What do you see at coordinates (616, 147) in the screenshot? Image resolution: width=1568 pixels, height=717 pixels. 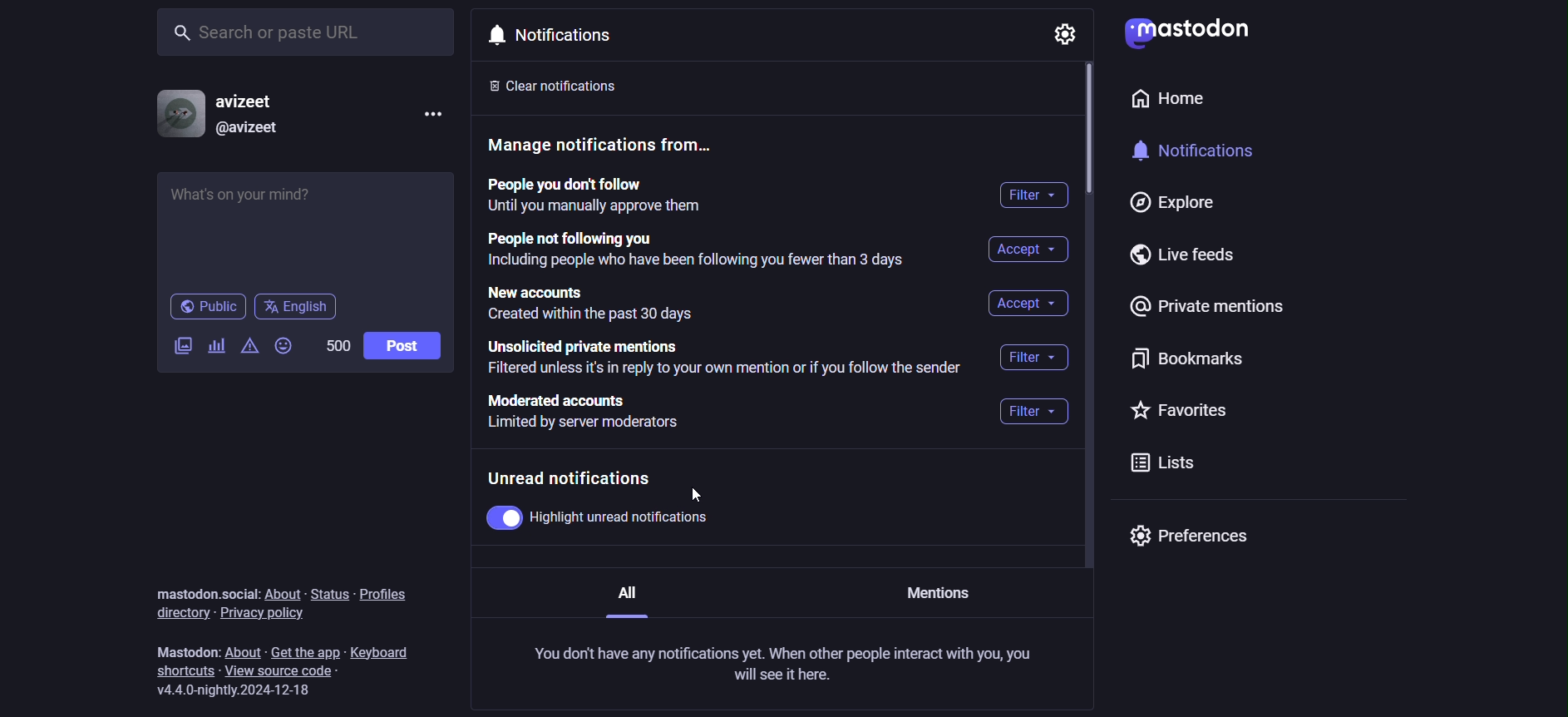 I see `manage notification from` at bounding box center [616, 147].